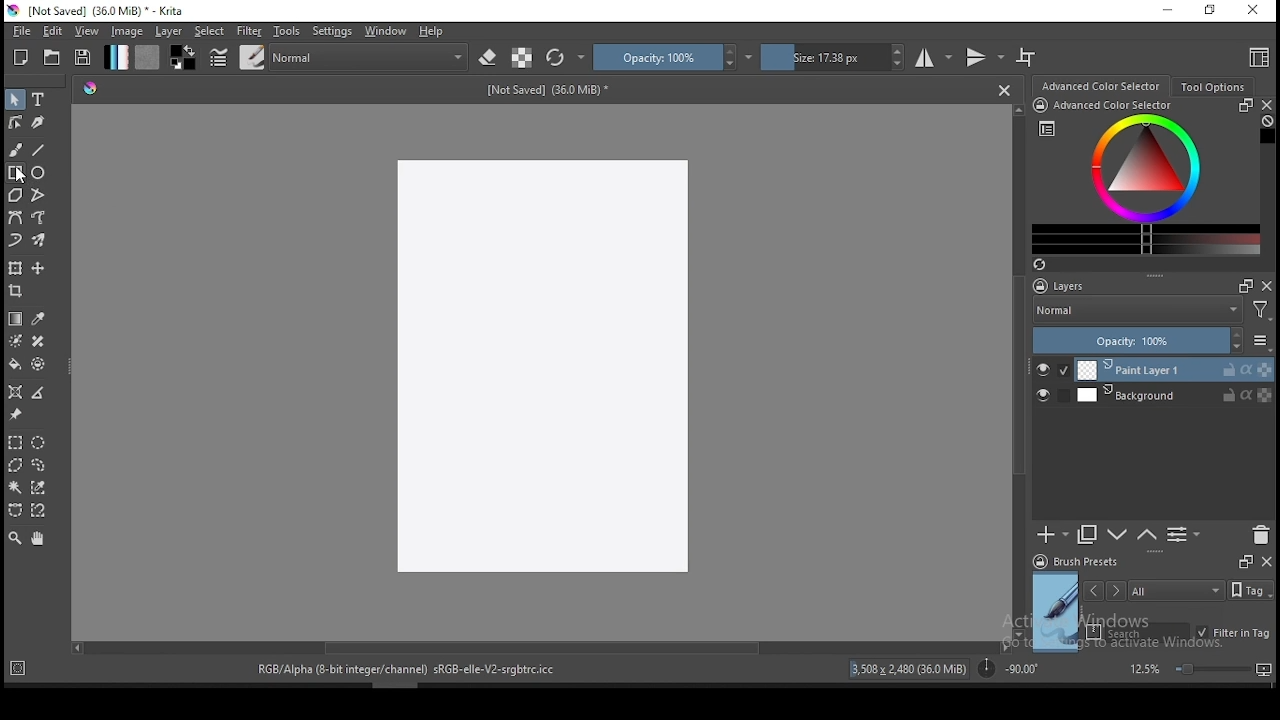 Image resolution: width=1280 pixels, height=720 pixels. Describe the element at coordinates (14, 219) in the screenshot. I see `bezier curve tool` at that location.